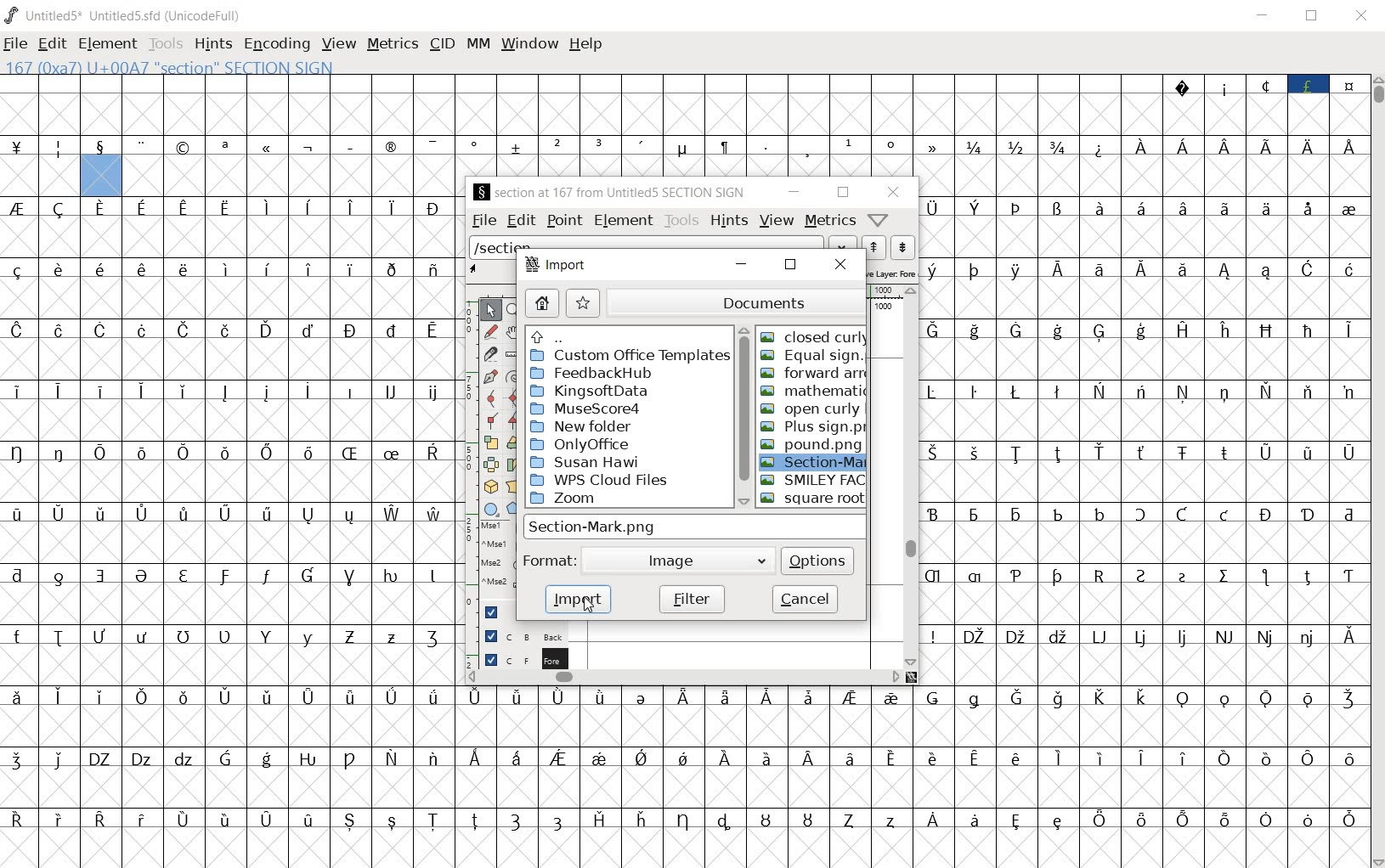  I want to click on RESTORE DOWN, so click(1312, 17).